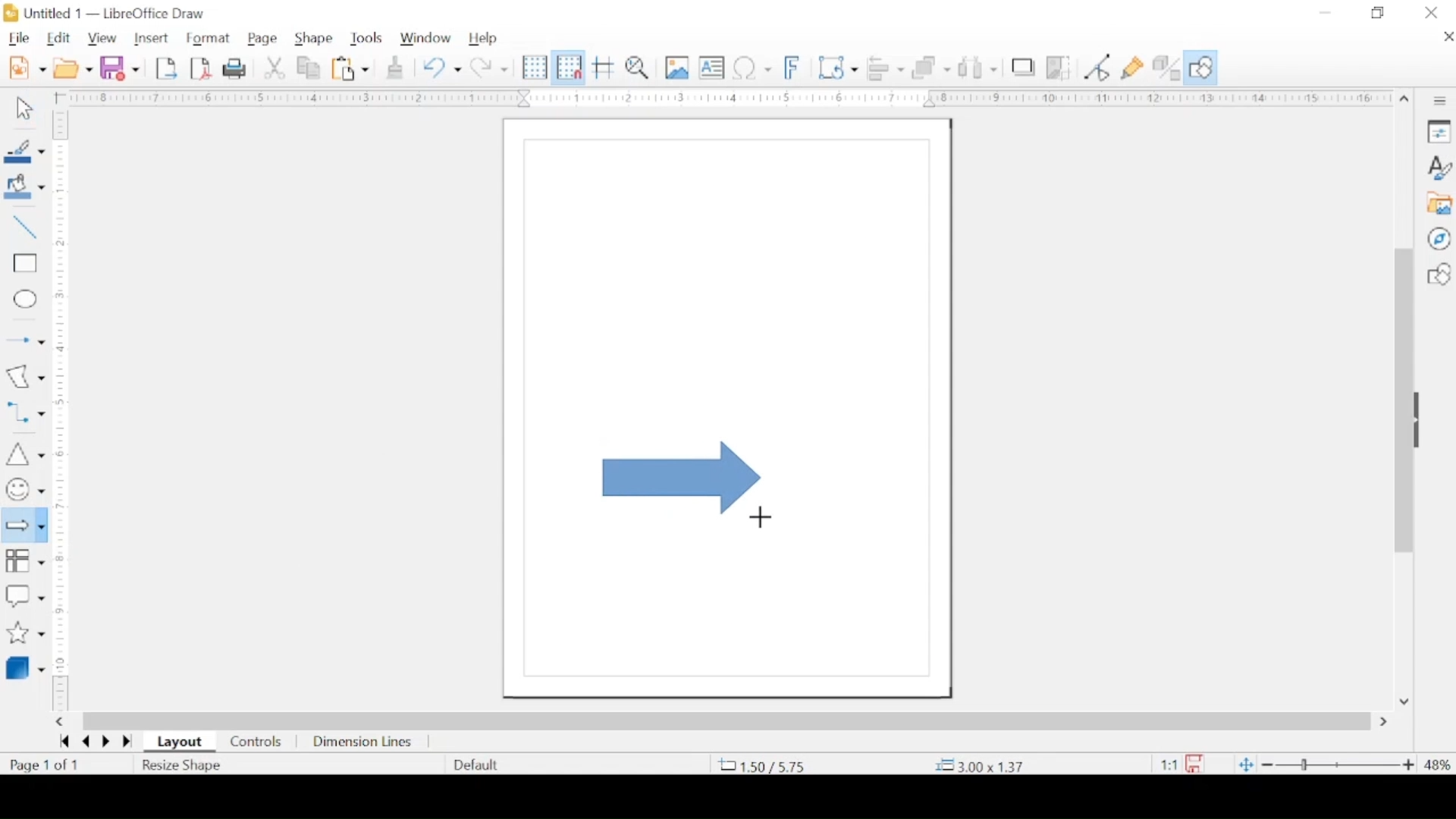 This screenshot has height=819, width=1456. Describe the element at coordinates (1202, 67) in the screenshot. I see `show draw functions` at that location.